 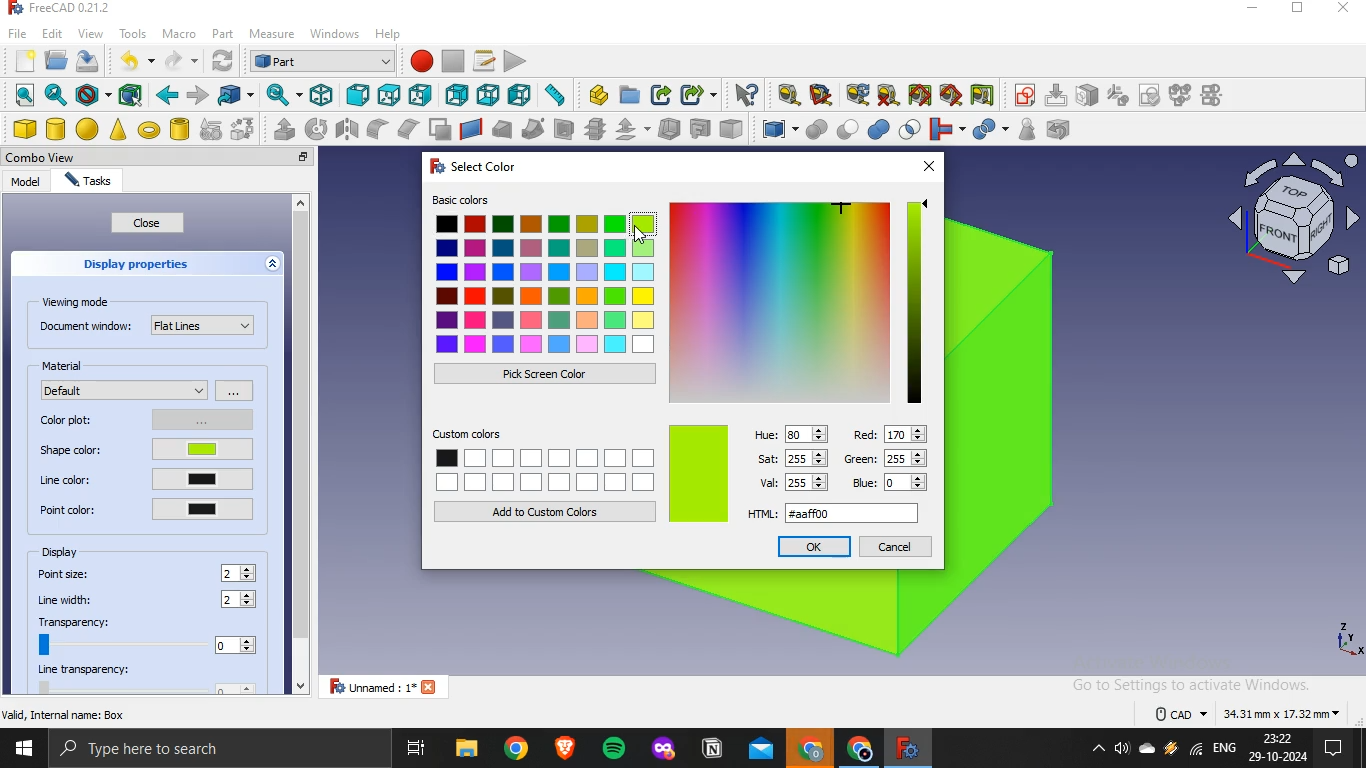 I want to click on section, so click(x=563, y=129).